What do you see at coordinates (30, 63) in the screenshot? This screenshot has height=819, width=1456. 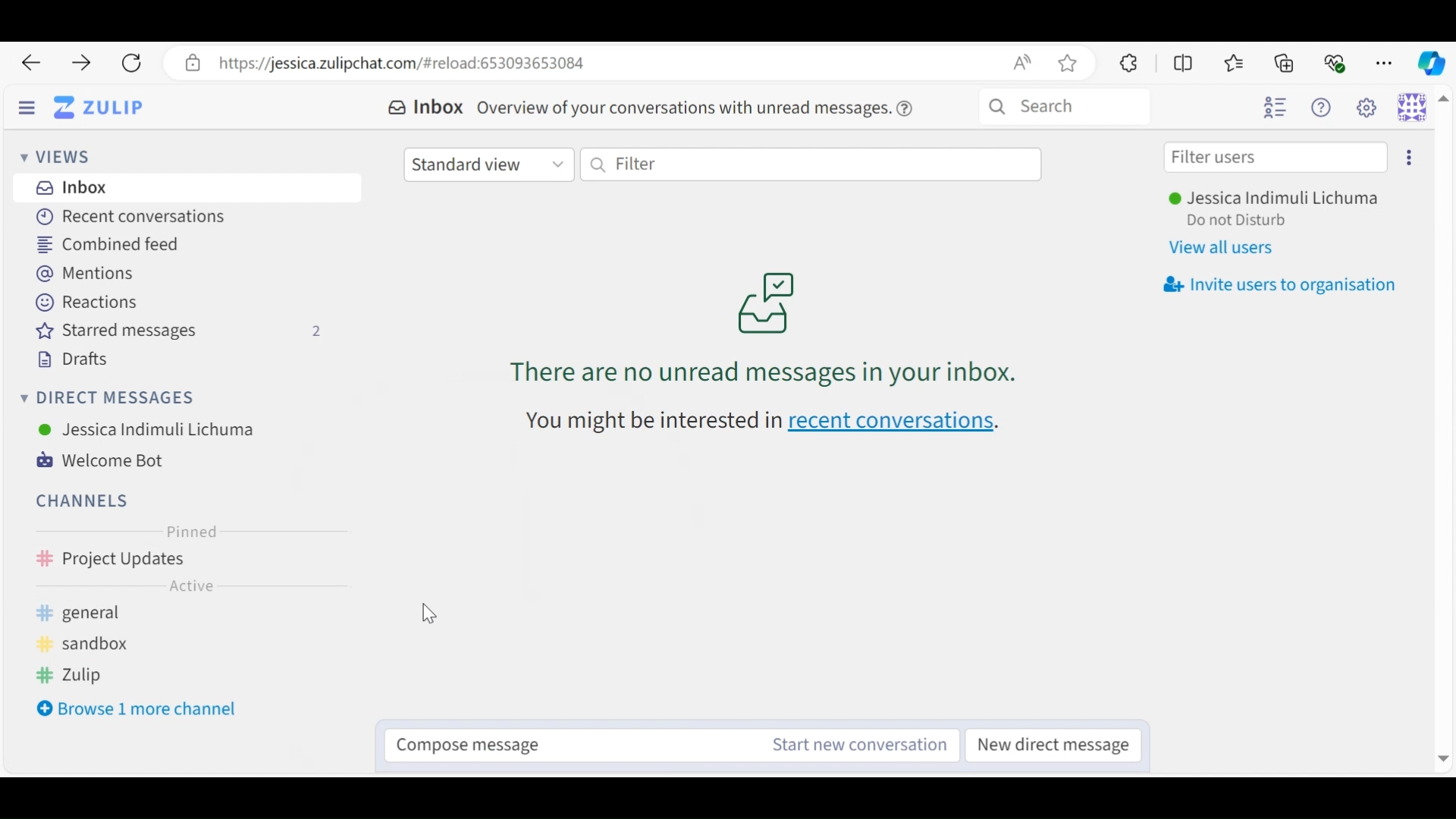 I see `Go back` at bounding box center [30, 63].